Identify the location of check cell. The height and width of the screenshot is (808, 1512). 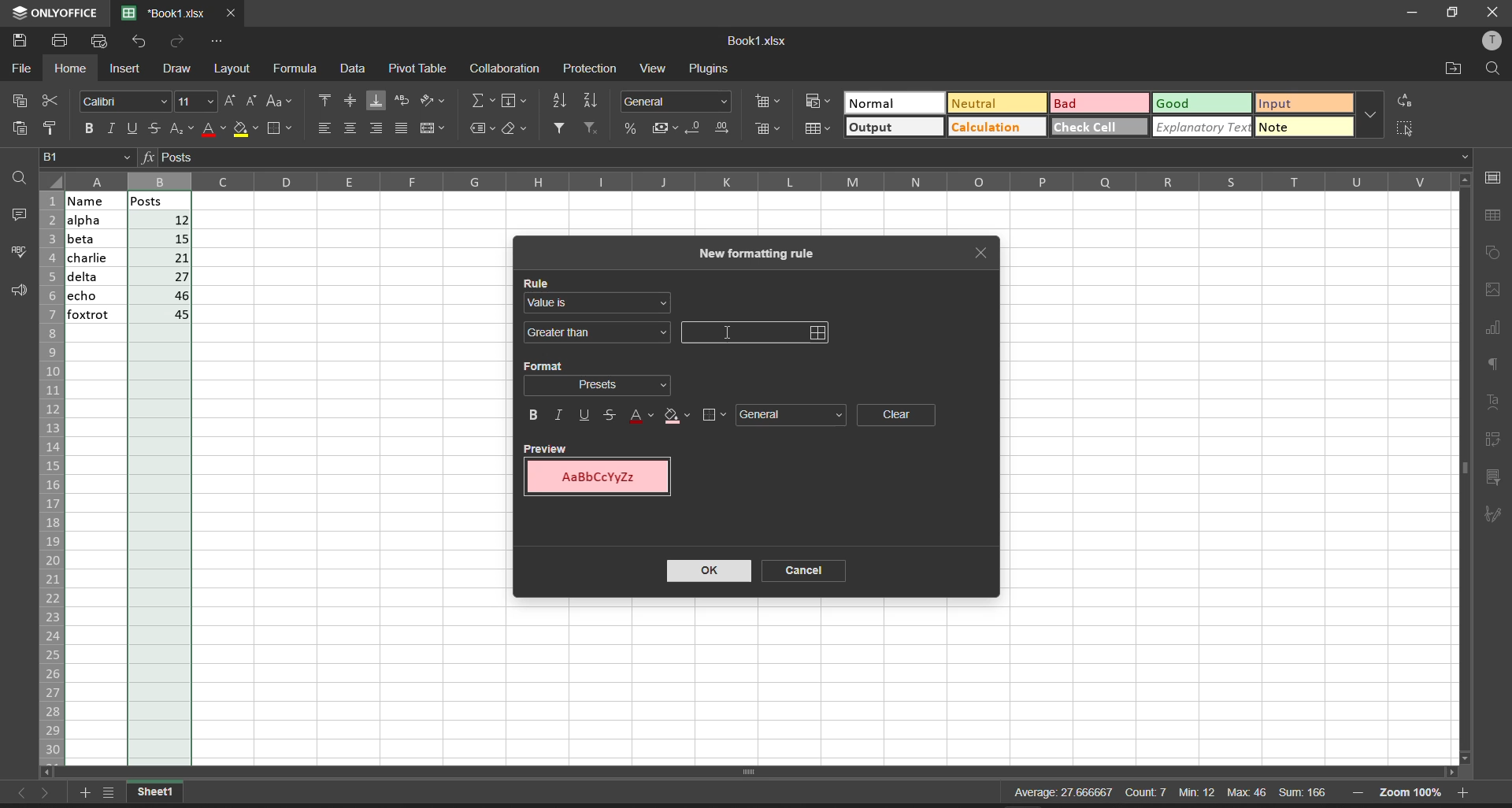
(1091, 129).